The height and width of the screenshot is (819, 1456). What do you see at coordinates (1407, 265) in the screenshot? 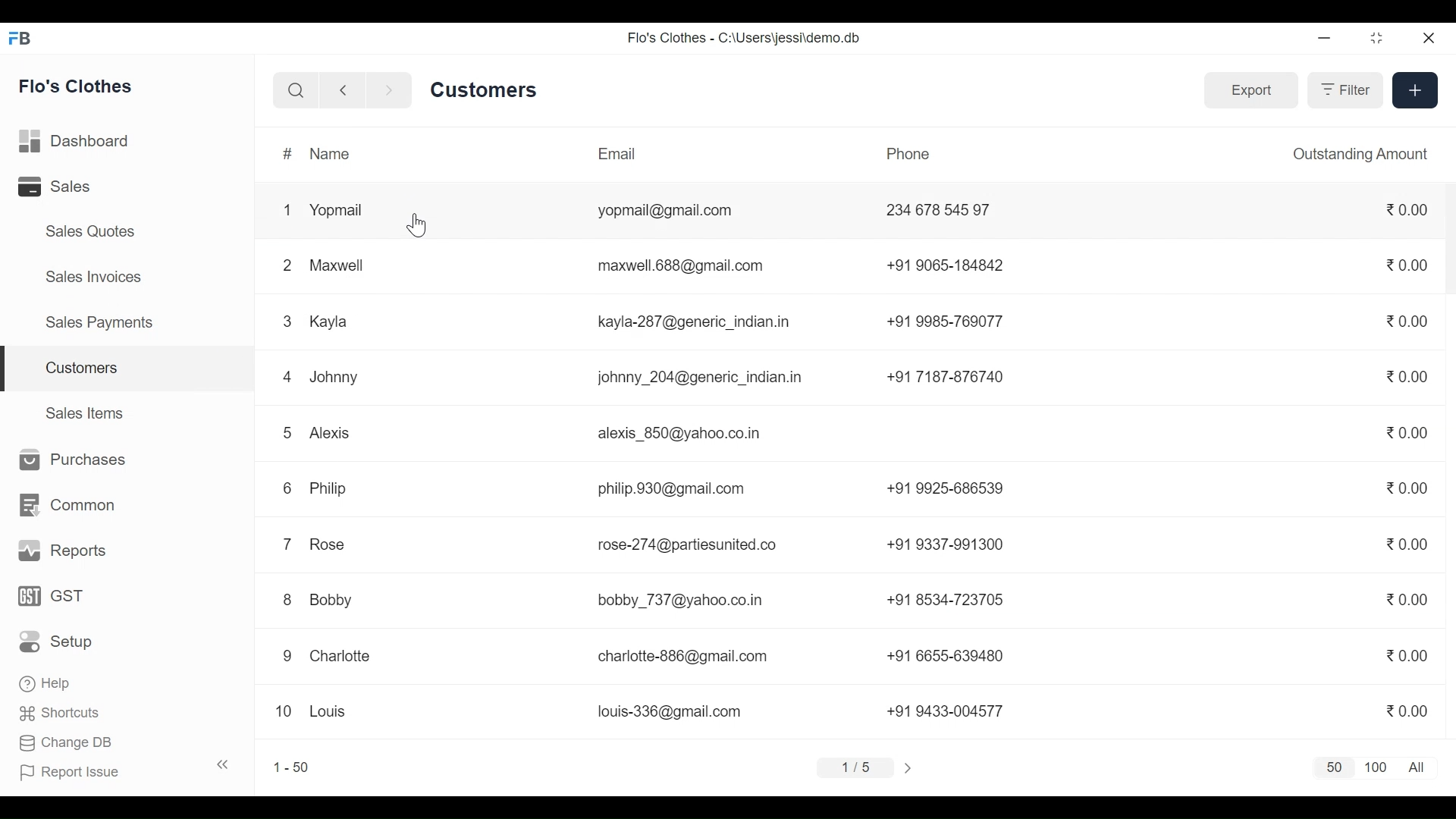
I see `0.00` at bounding box center [1407, 265].